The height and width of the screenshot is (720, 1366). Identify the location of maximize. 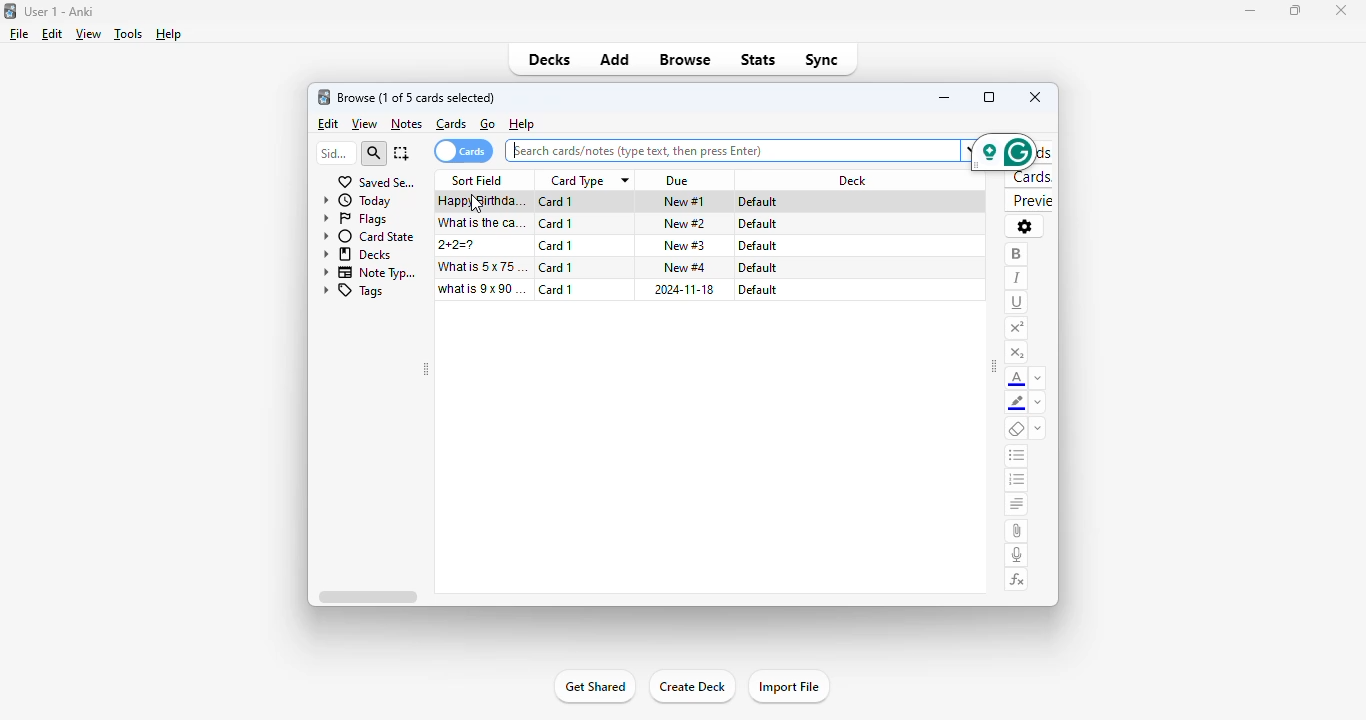
(989, 96).